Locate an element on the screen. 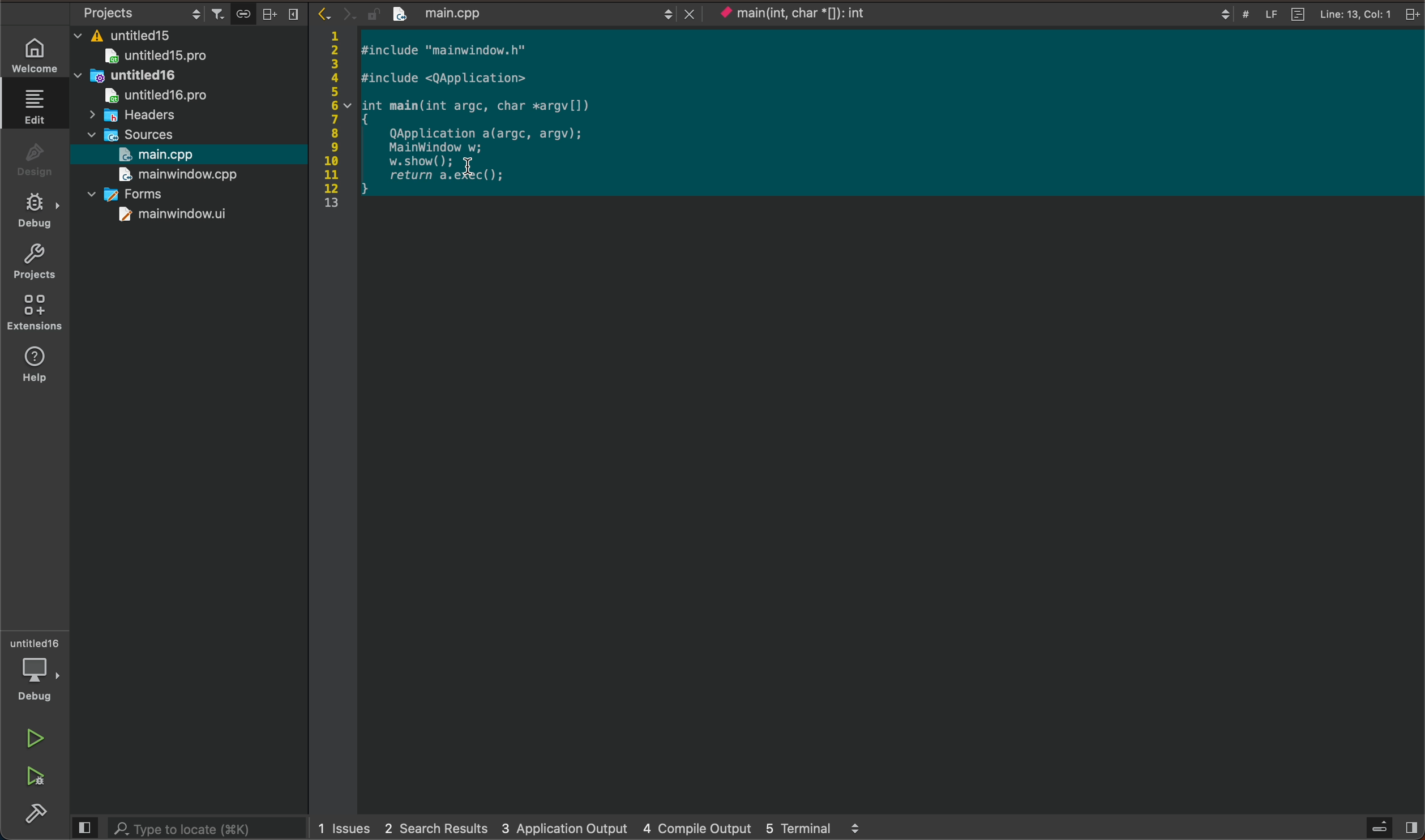  files and folders is located at coordinates (187, 37).